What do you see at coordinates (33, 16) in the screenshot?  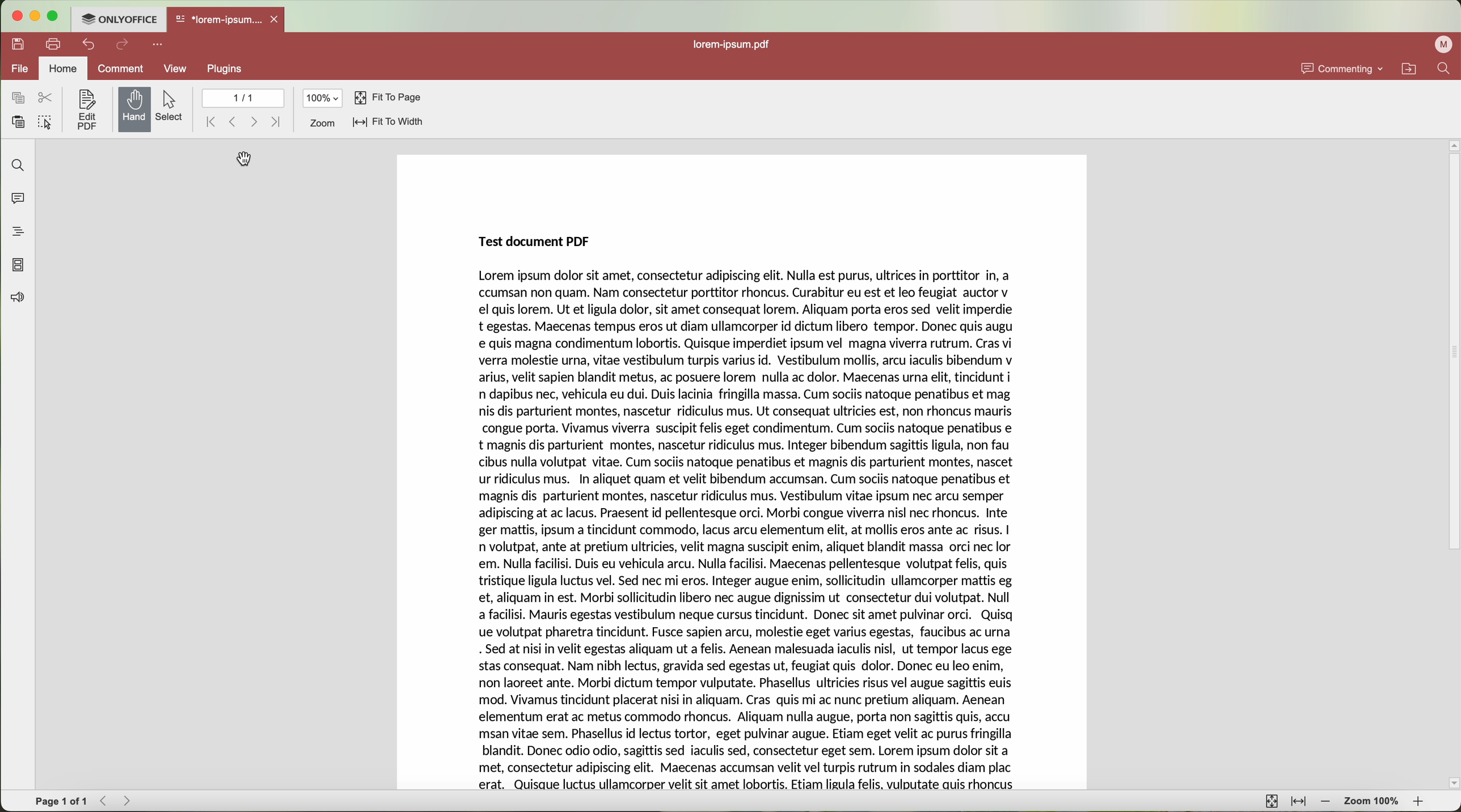 I see `minimize program` at bounding box center [33, 16].